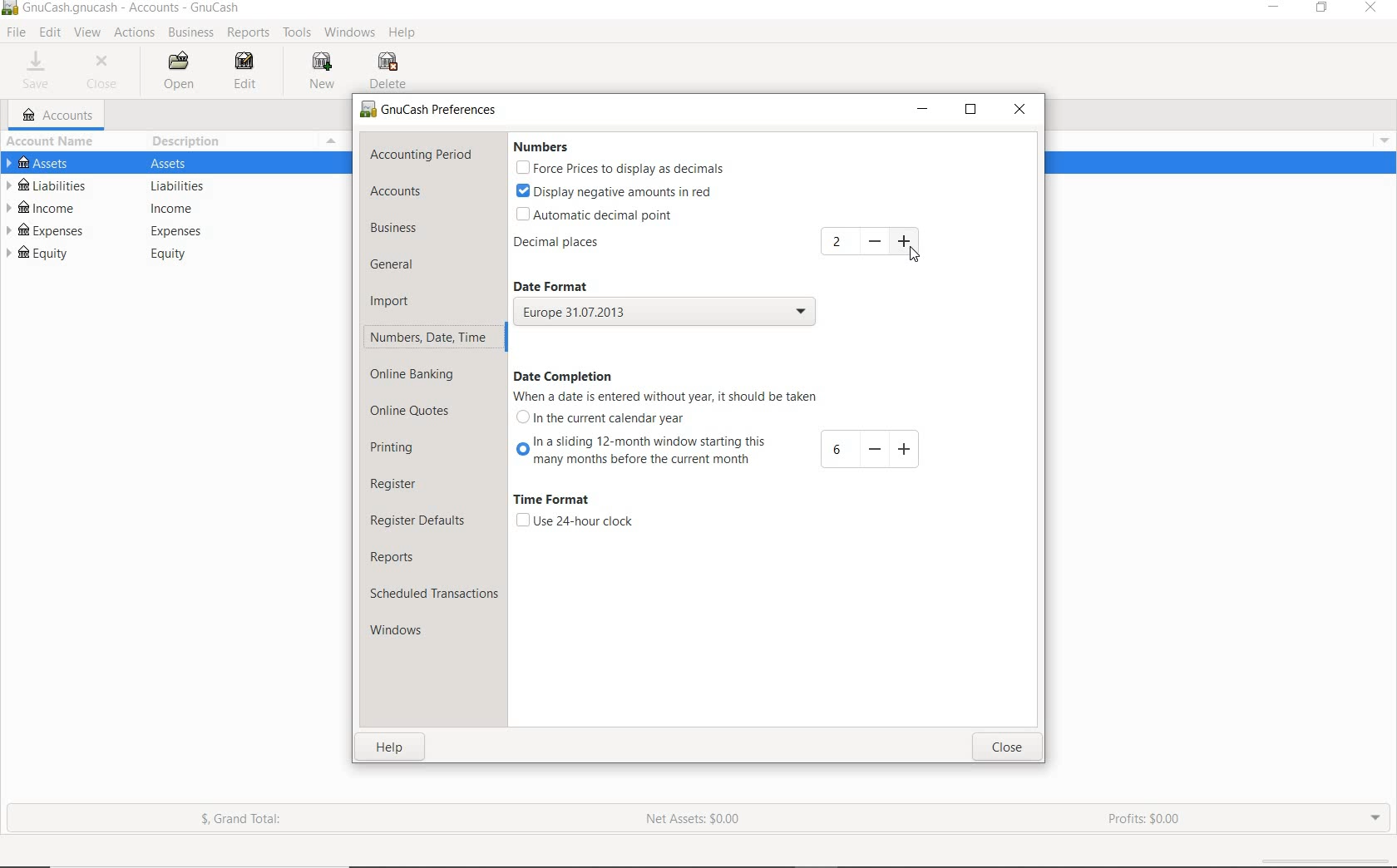 The height and width of the screenshot is (868, 1397). Describe the element at coordinates (906, 241) in the screenshot. I see `+` at that location.